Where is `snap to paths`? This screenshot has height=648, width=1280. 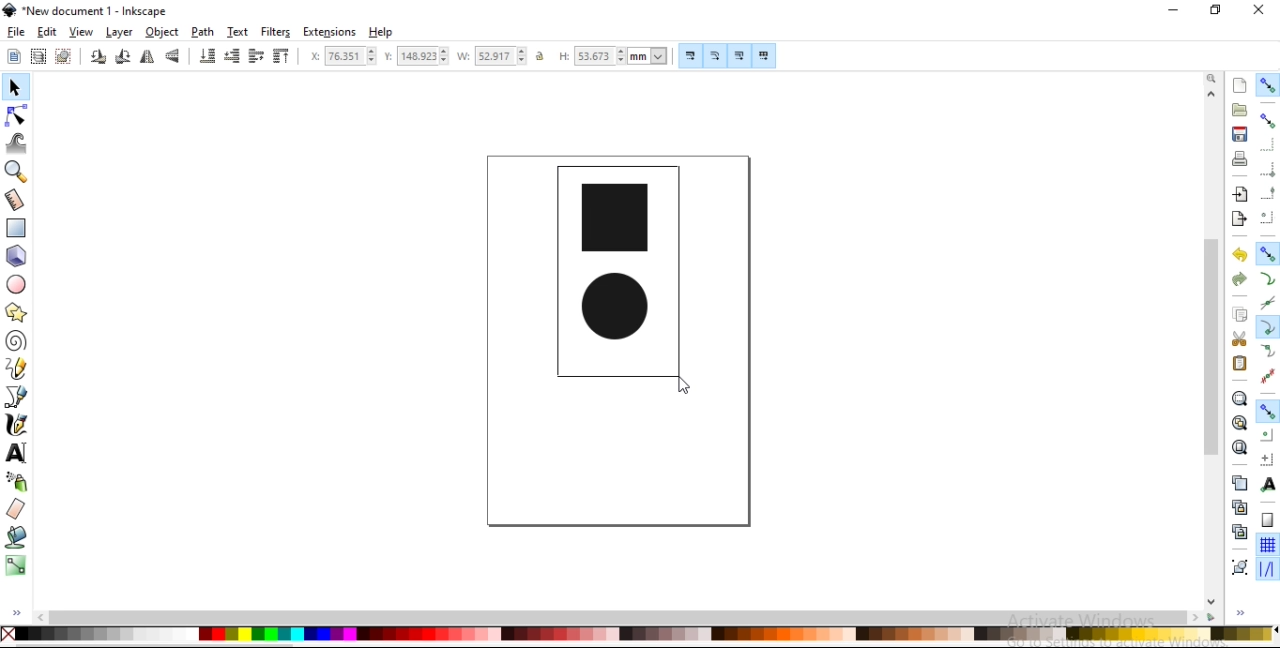 snap to paths is located at coordinates (1268, 277).